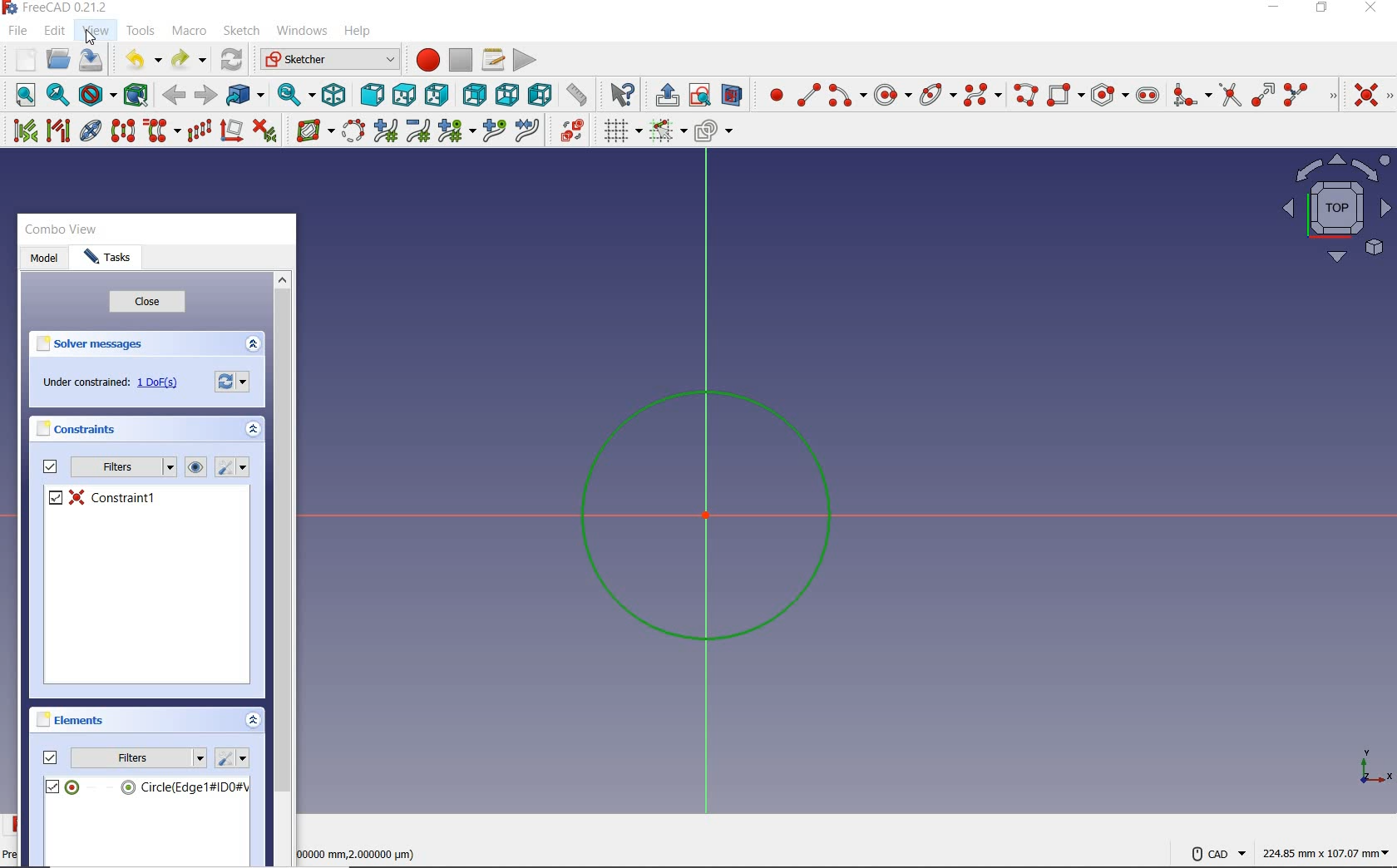 This screenshot has height=868, width=1397. What do you see at coordinates (160, 131) in the screenshot?
I see `clone` at bounding box center [160, 131].